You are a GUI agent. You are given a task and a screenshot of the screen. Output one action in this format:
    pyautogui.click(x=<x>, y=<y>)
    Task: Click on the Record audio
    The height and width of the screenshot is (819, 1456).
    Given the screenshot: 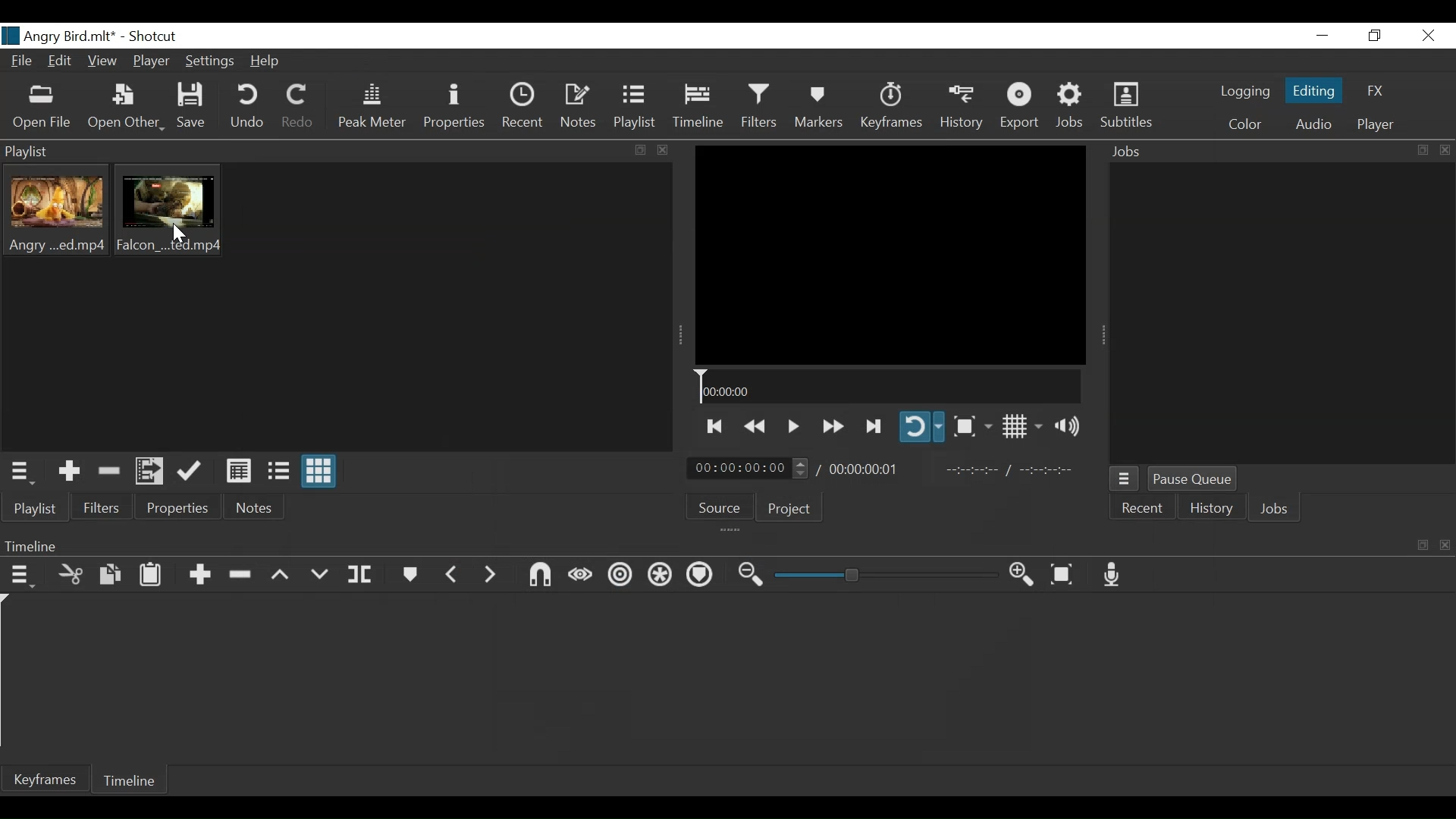 What is the action you would take?
    pyautogui.click(x=1112, y=574)
    